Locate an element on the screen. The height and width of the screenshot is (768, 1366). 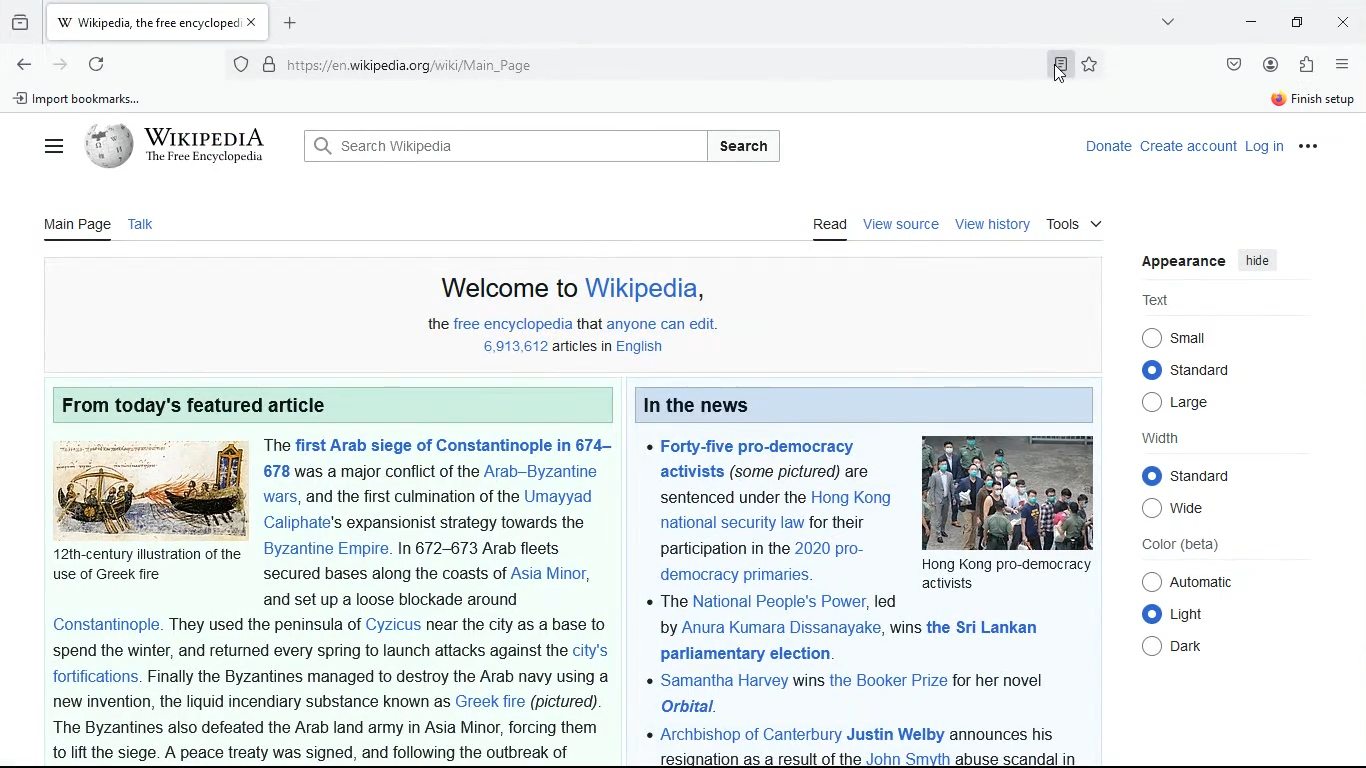
back is located at coordinates (25, 66).